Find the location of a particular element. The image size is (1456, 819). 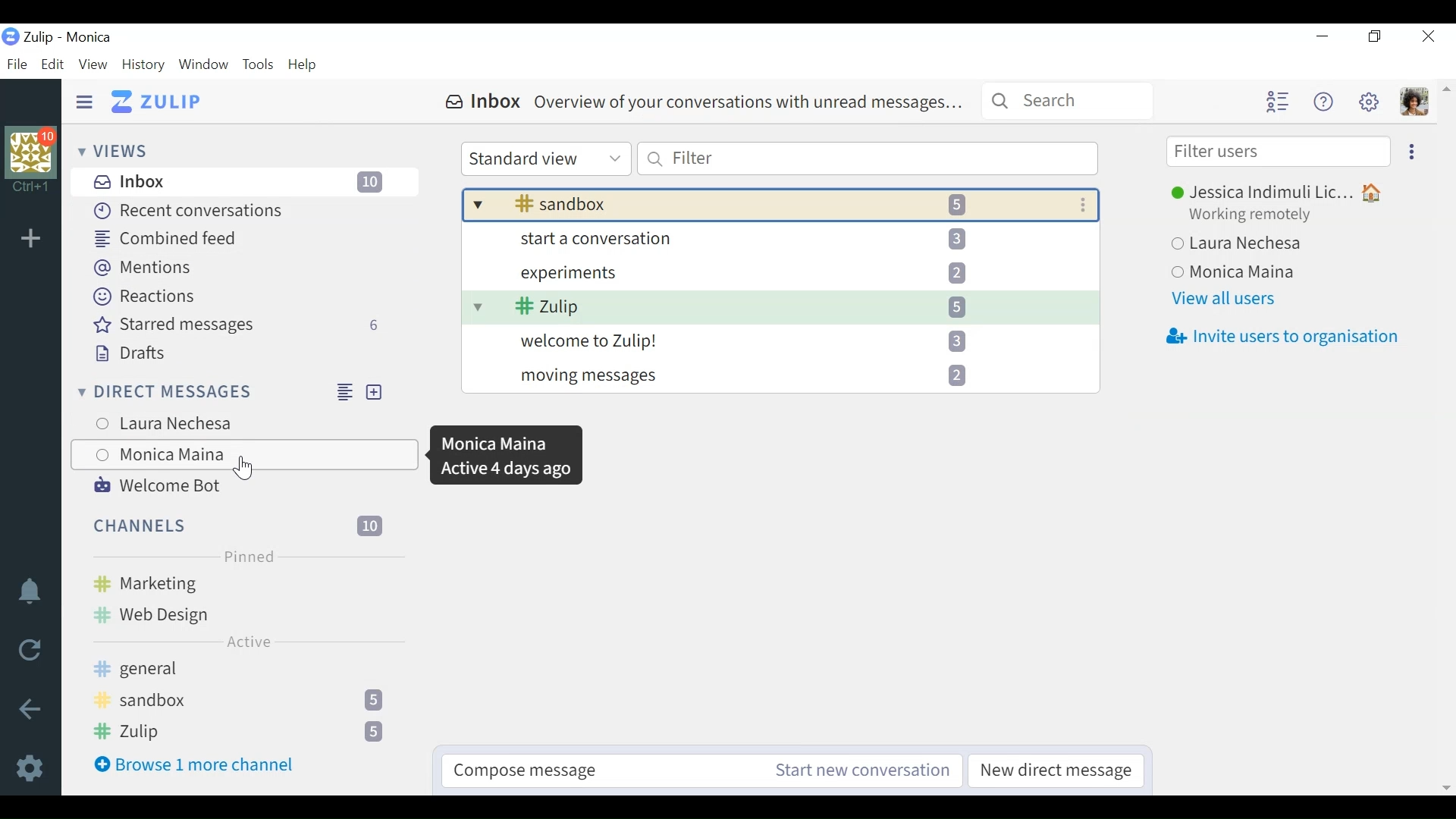

Restore is located at coordinates (1375, 37).